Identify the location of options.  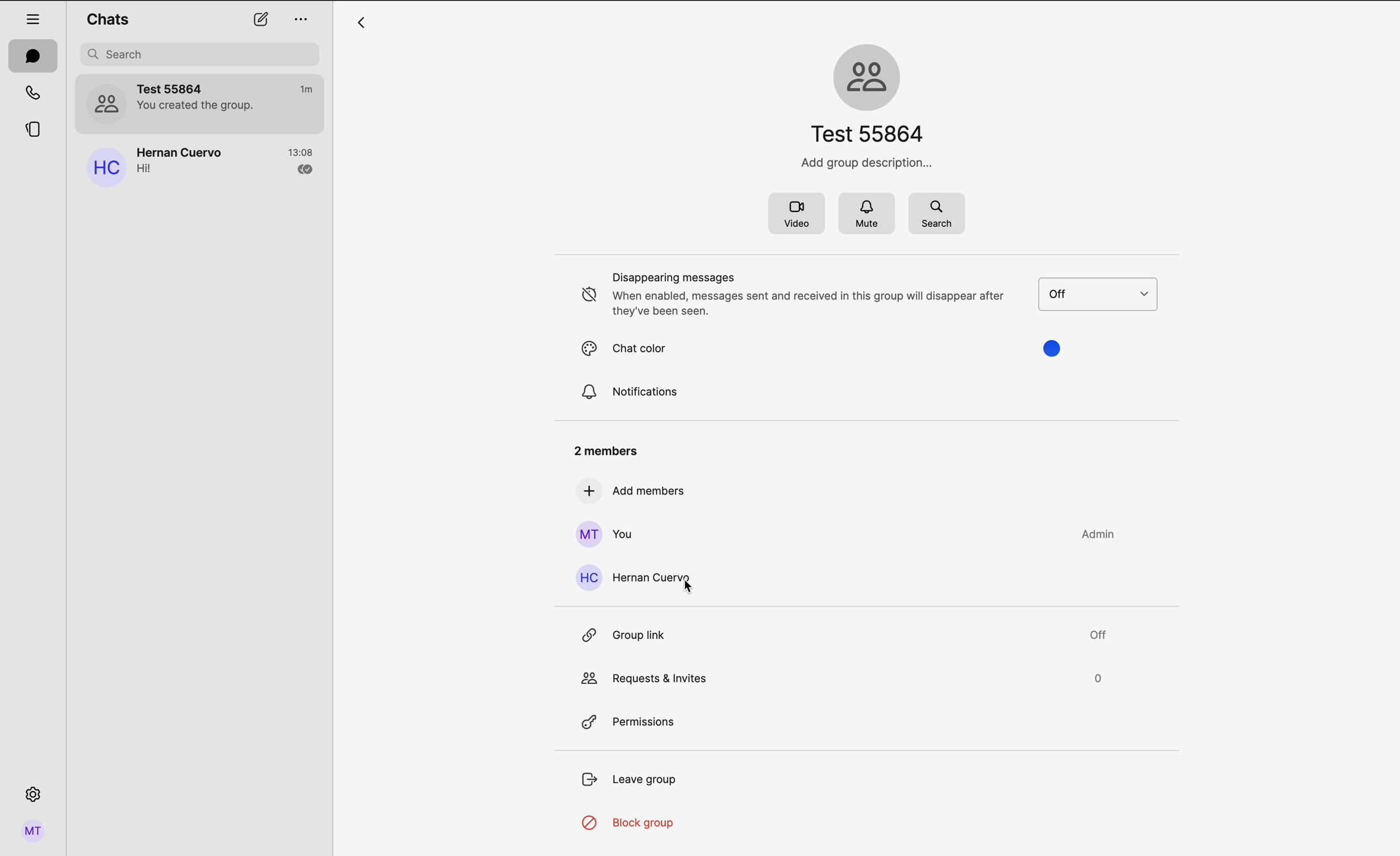
(302, 19).